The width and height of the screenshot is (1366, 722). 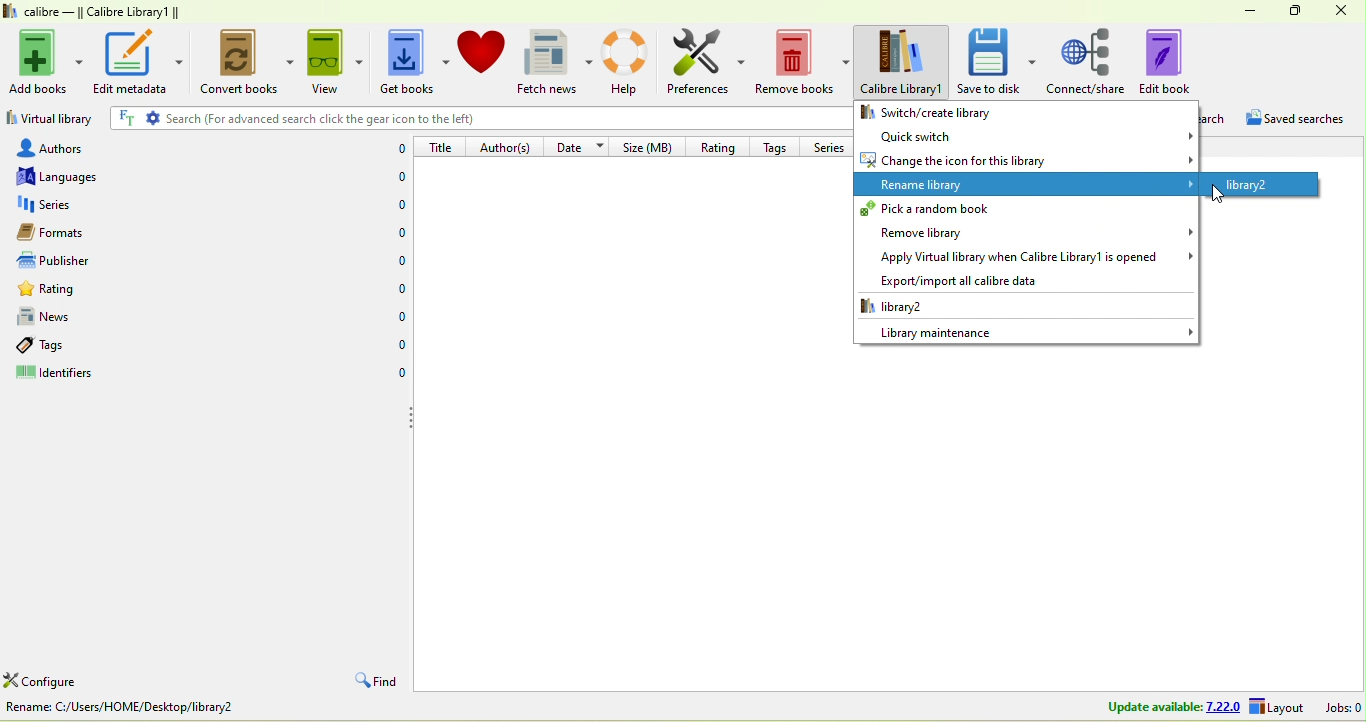 I want to click on title, so click(x=442, y=146).